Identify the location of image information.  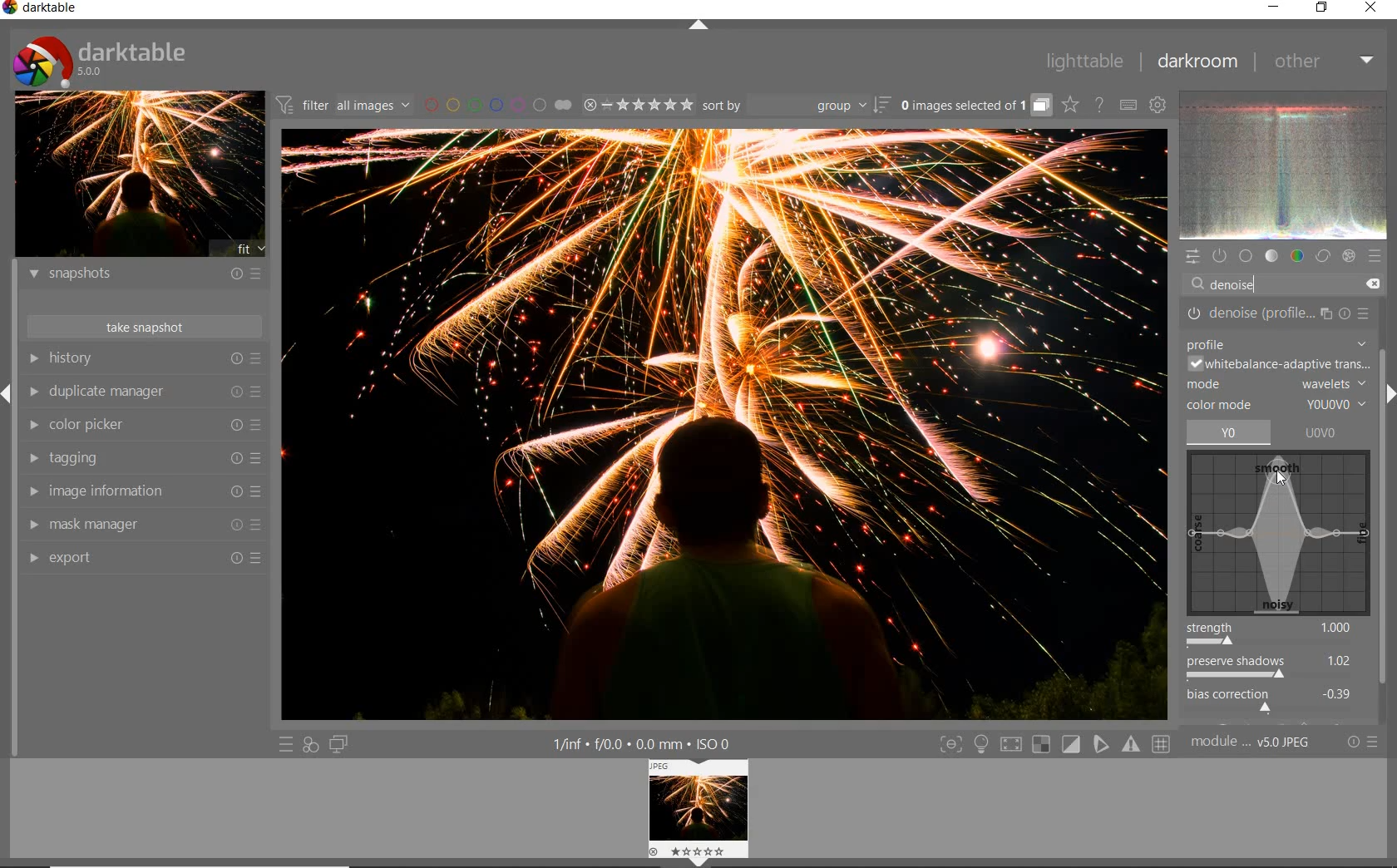
(144, 491).